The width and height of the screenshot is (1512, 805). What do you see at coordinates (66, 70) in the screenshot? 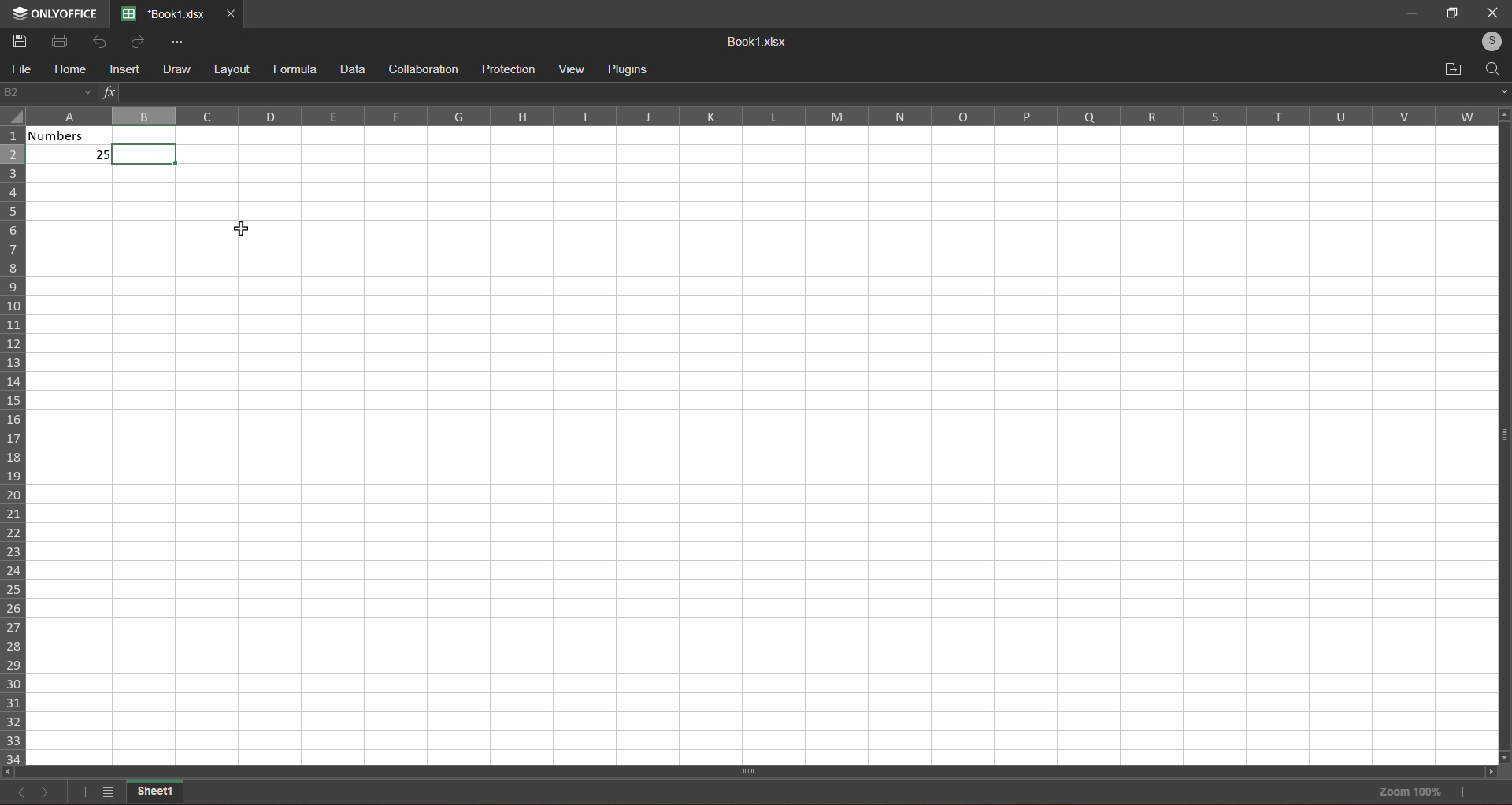
I see `home` at bounding box center [66, 70].